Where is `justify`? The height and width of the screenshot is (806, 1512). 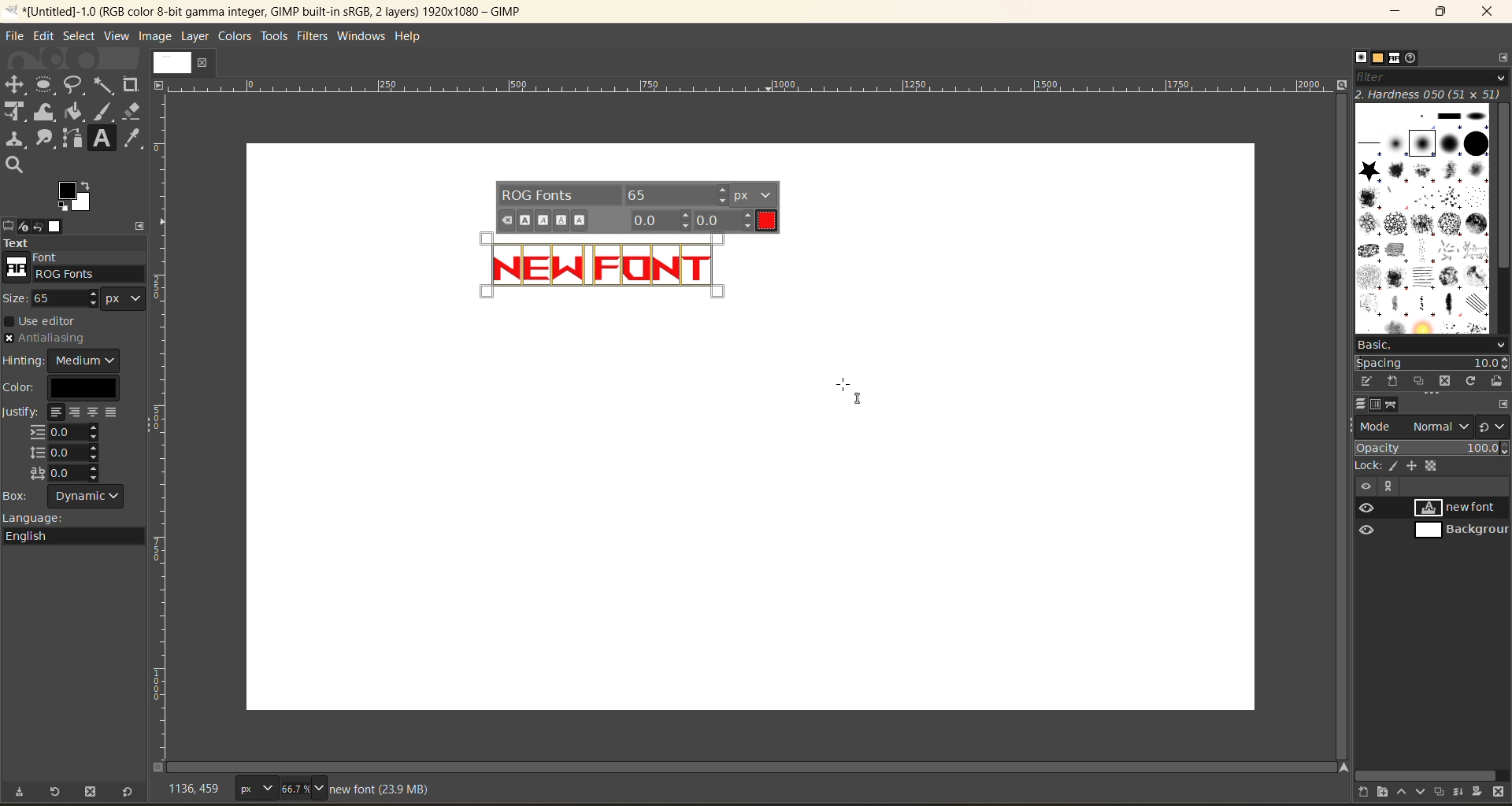 justify is located at coordinates (65, 445).